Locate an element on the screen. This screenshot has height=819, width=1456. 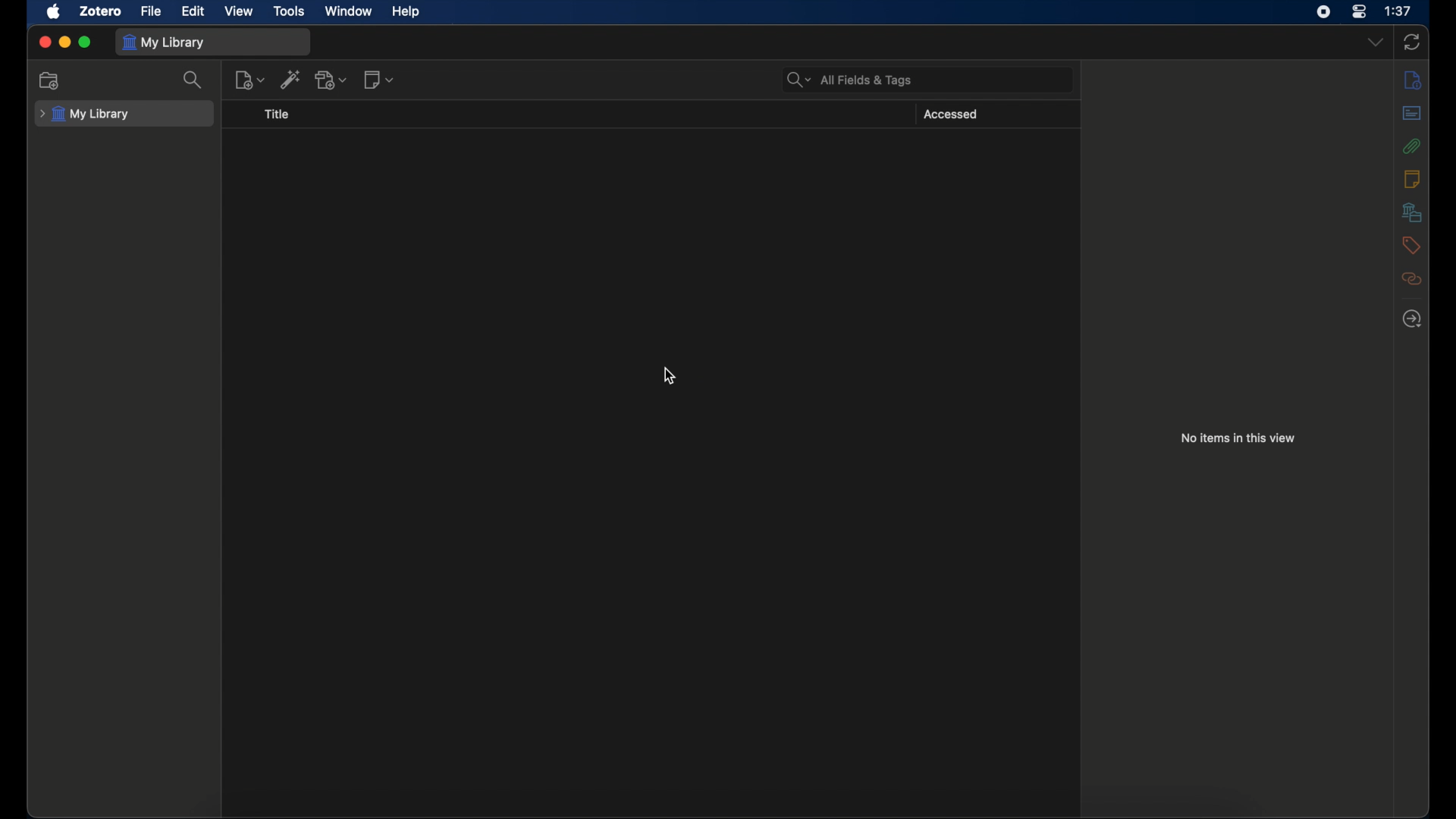
info is located at coordinates (1414, 79).